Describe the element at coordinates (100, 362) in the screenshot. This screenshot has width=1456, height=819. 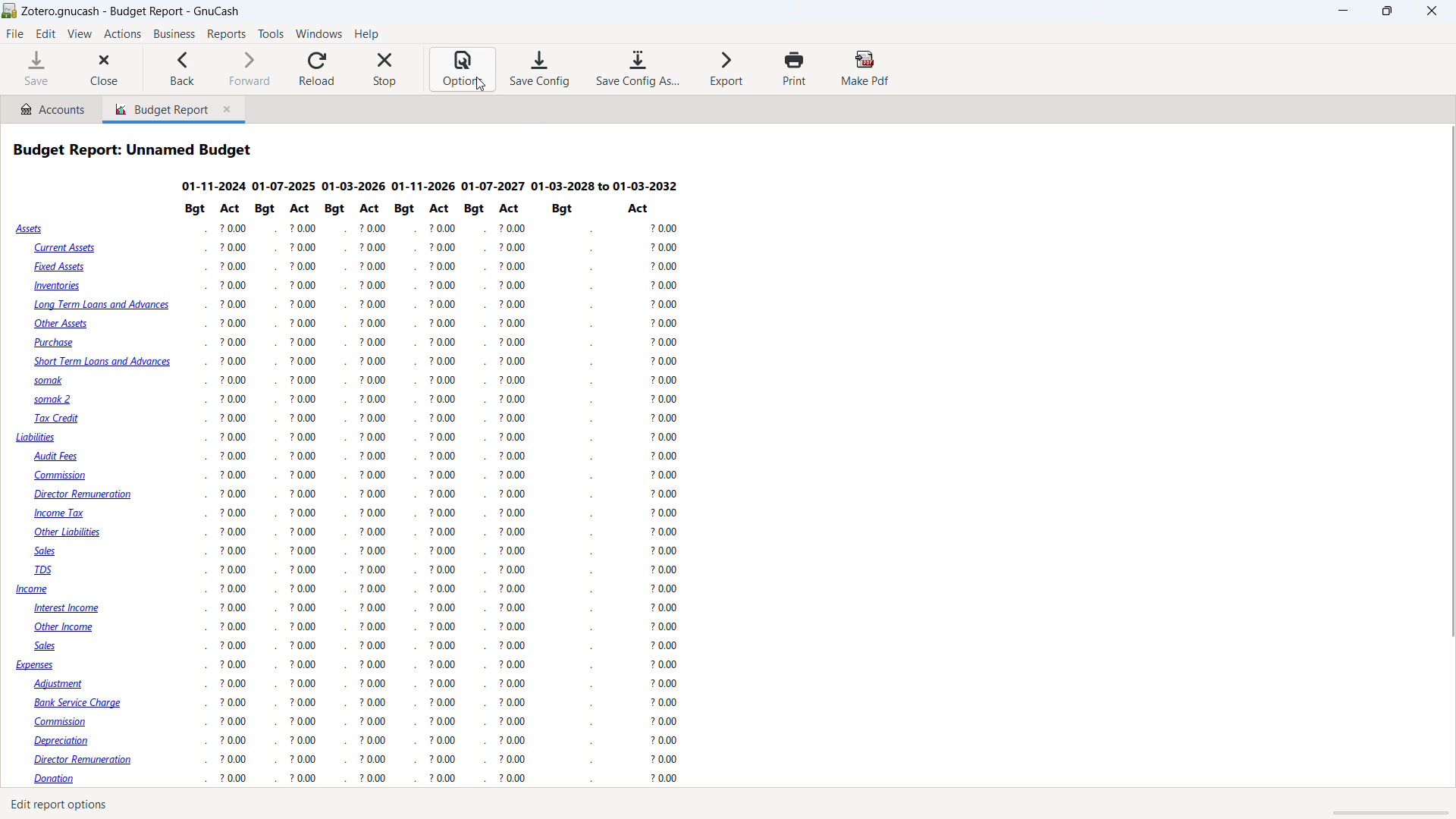
I see `hort Term Loans and Advances` at that location.